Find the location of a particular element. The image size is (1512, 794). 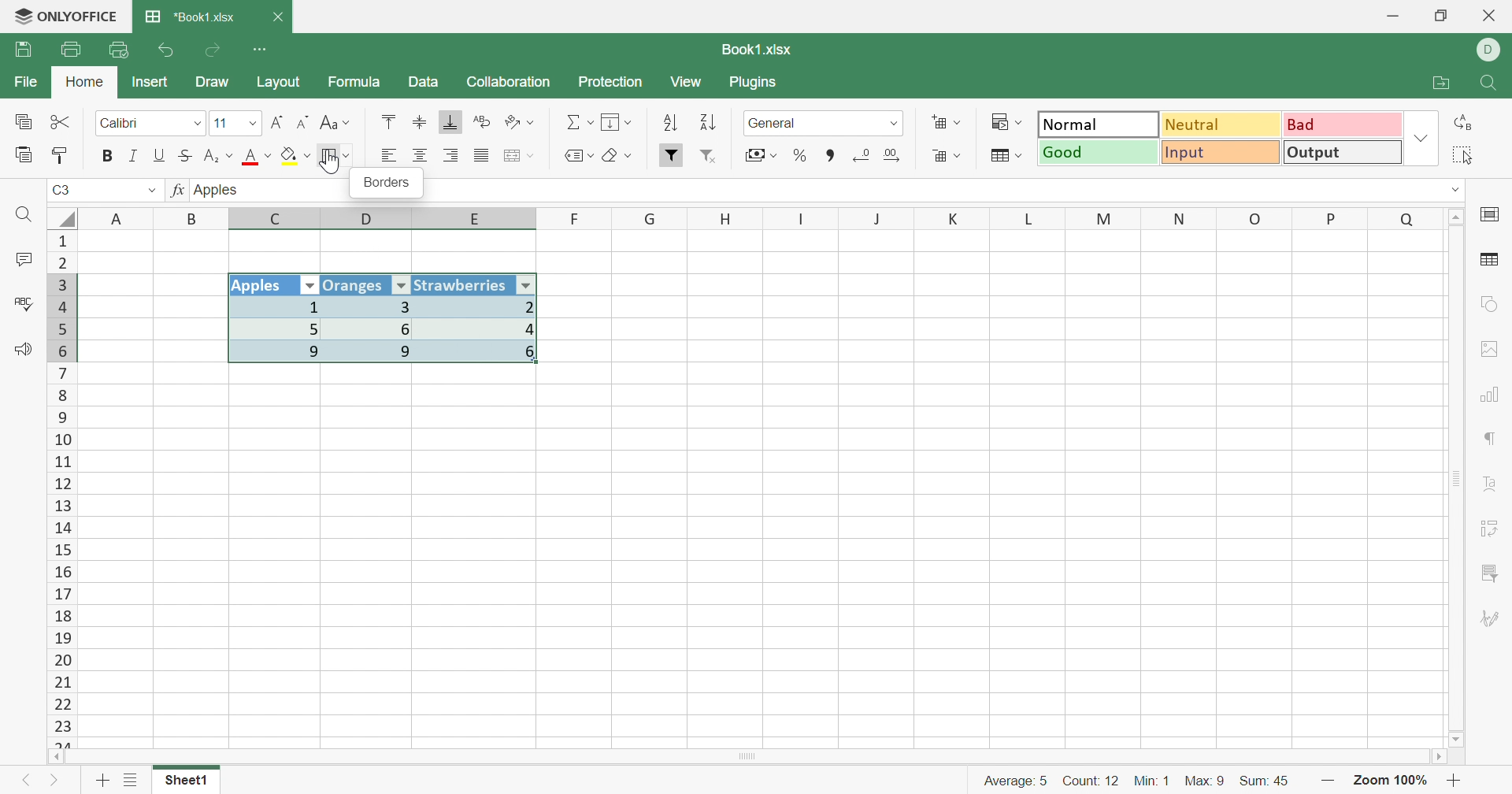

Redo is located at coordinates (215, 50).